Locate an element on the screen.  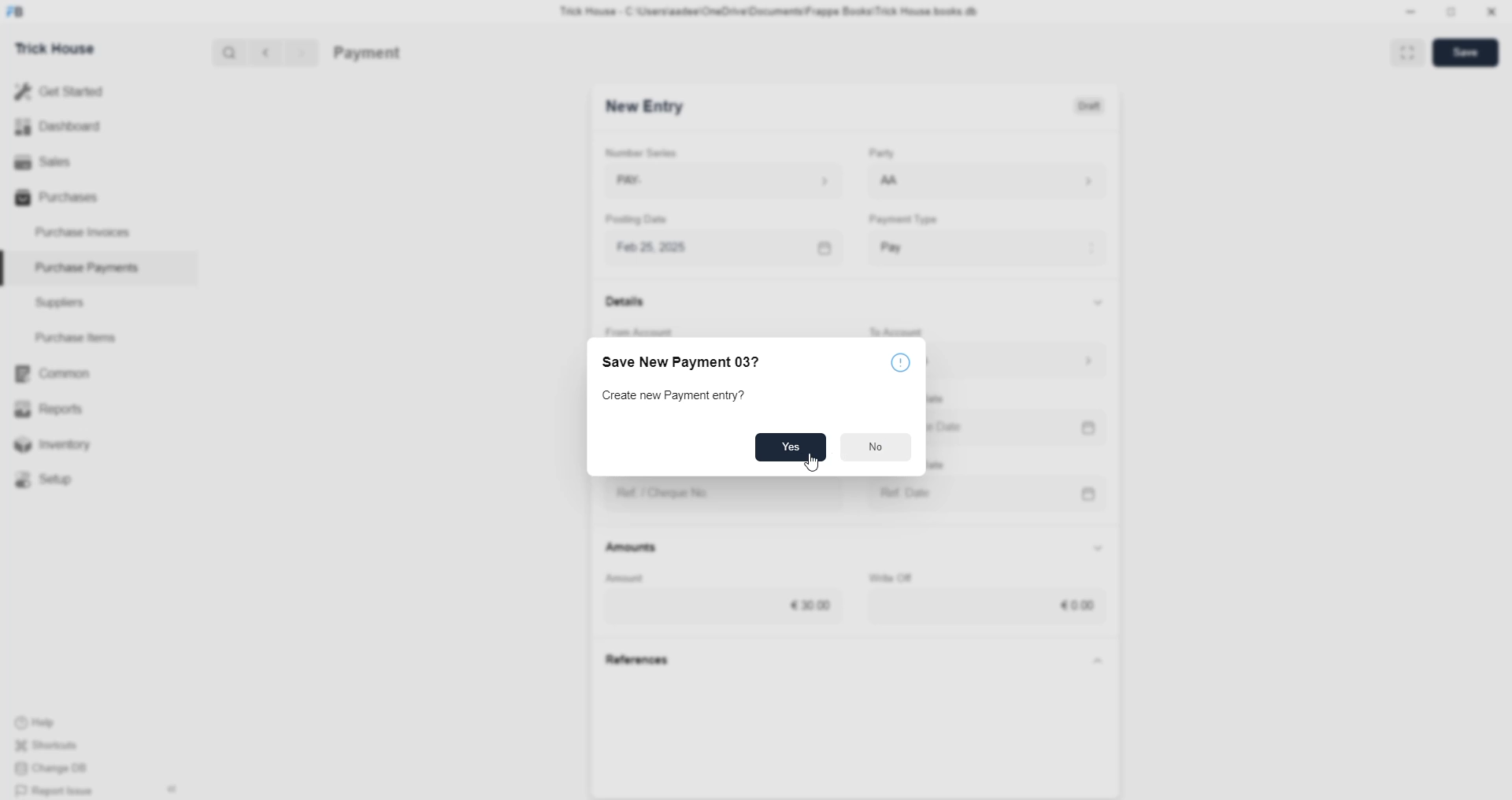
Pay is located at coordinates (921, 243).